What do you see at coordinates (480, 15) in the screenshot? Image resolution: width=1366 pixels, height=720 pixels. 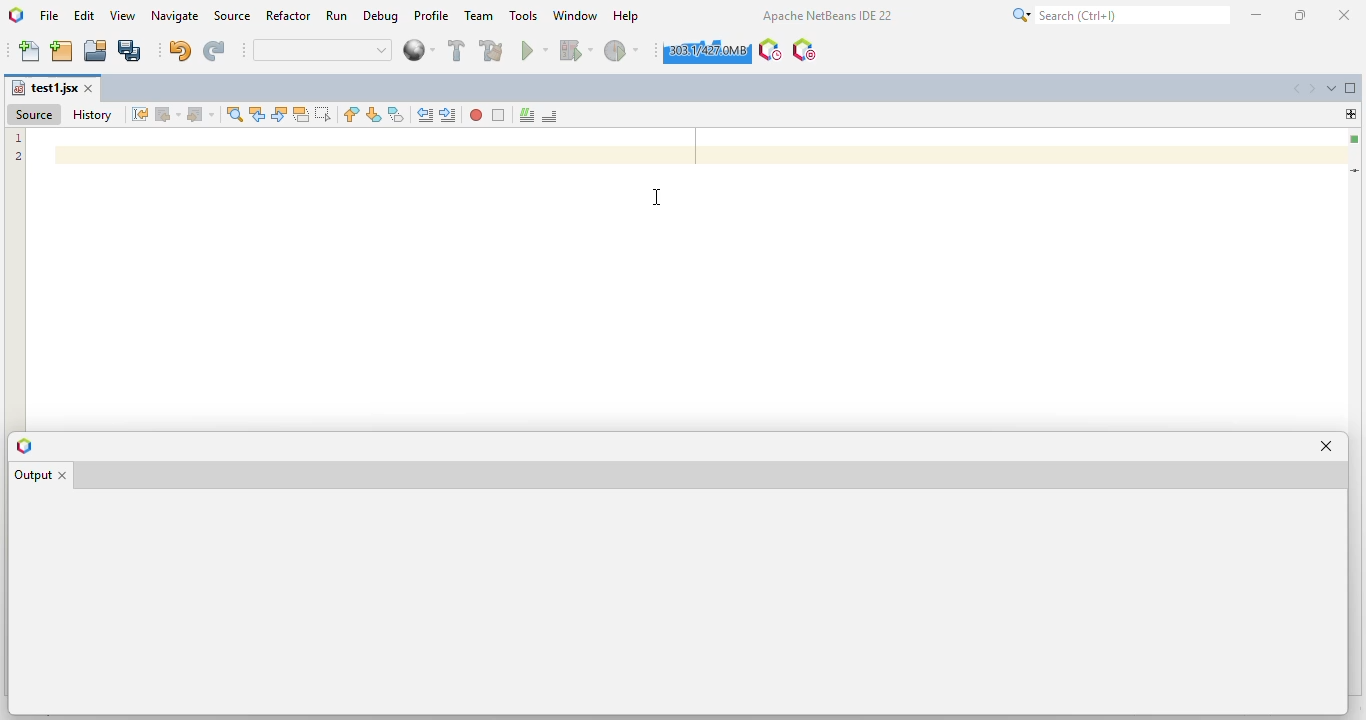 I see `team` at bounding box center [480, 15].